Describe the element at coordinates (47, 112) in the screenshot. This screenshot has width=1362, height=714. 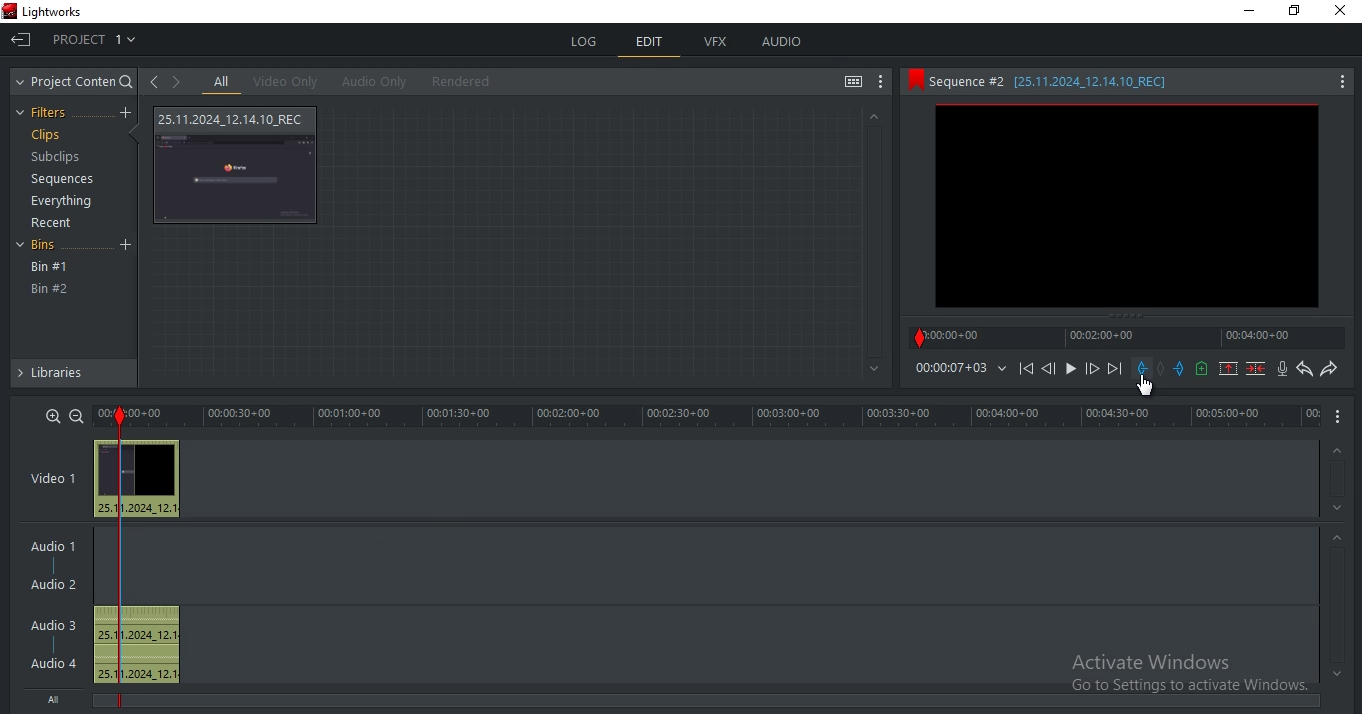
I see `filters` at that location.